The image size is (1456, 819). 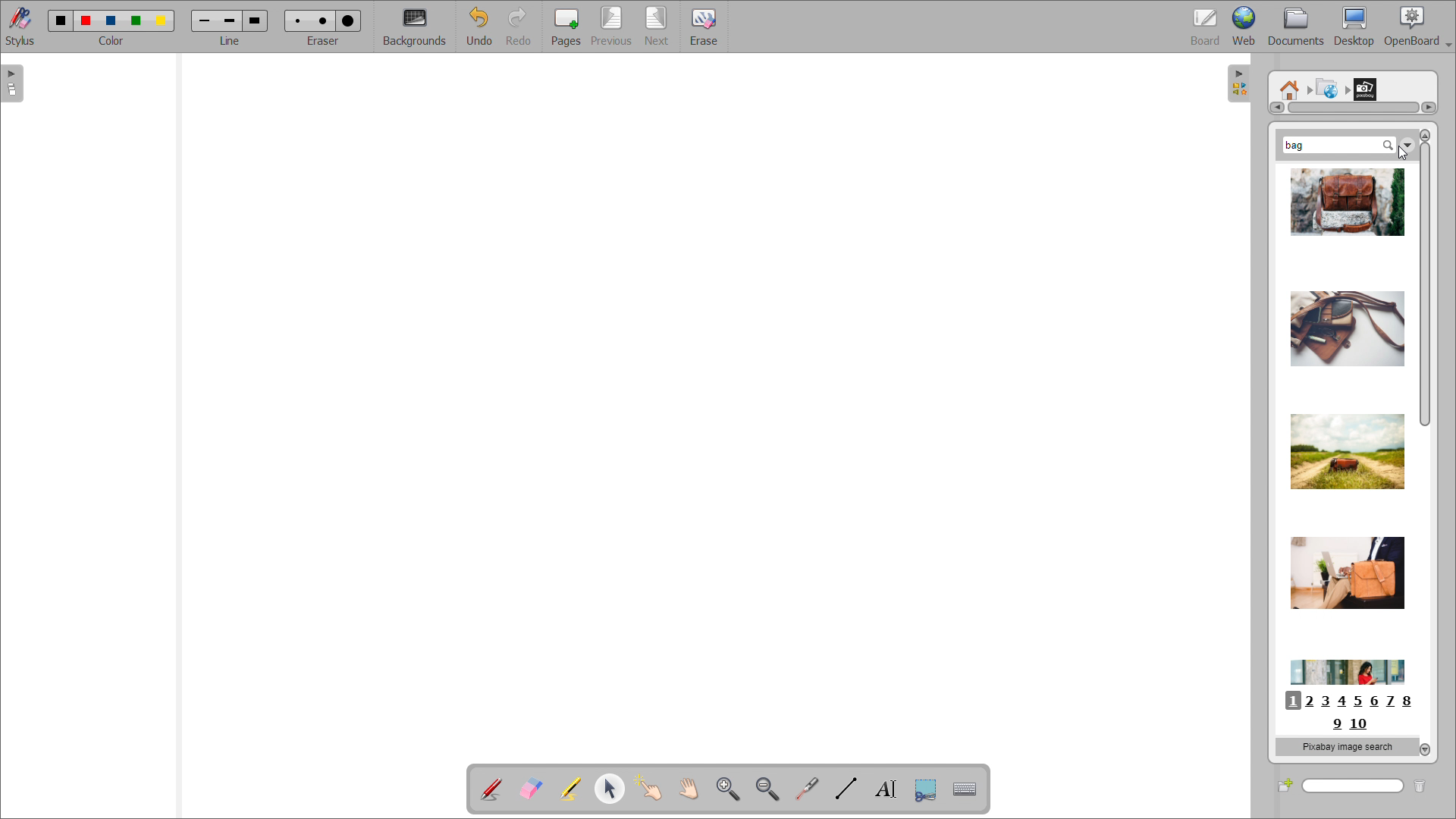 What do you see at coordinates (322, 19) in the screenshot?
I see `Medium eraser` at bounding box center [322, 19].